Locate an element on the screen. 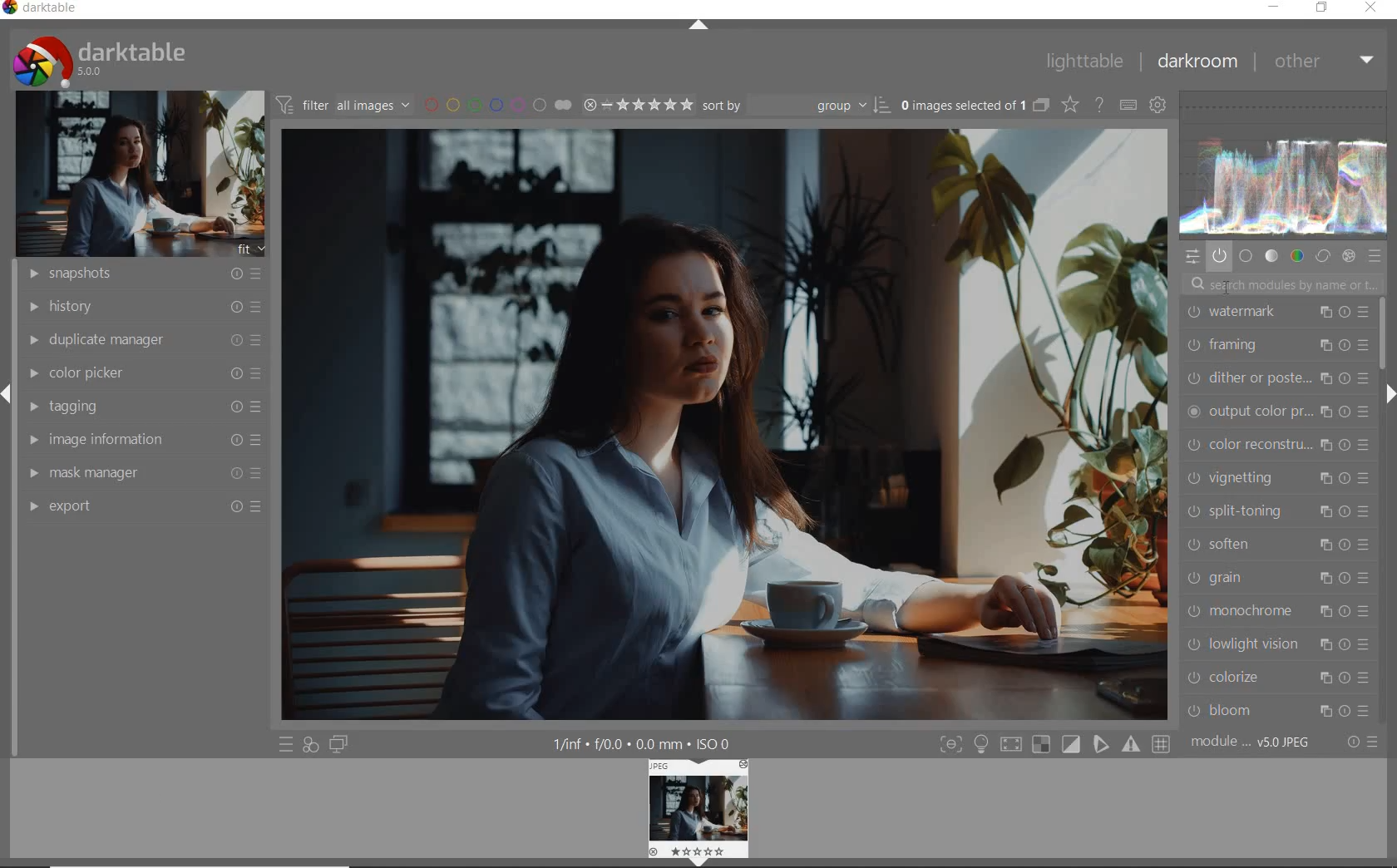 This screenshot has height=868, width=1397. snapshots is located at coordinates (139, 274).